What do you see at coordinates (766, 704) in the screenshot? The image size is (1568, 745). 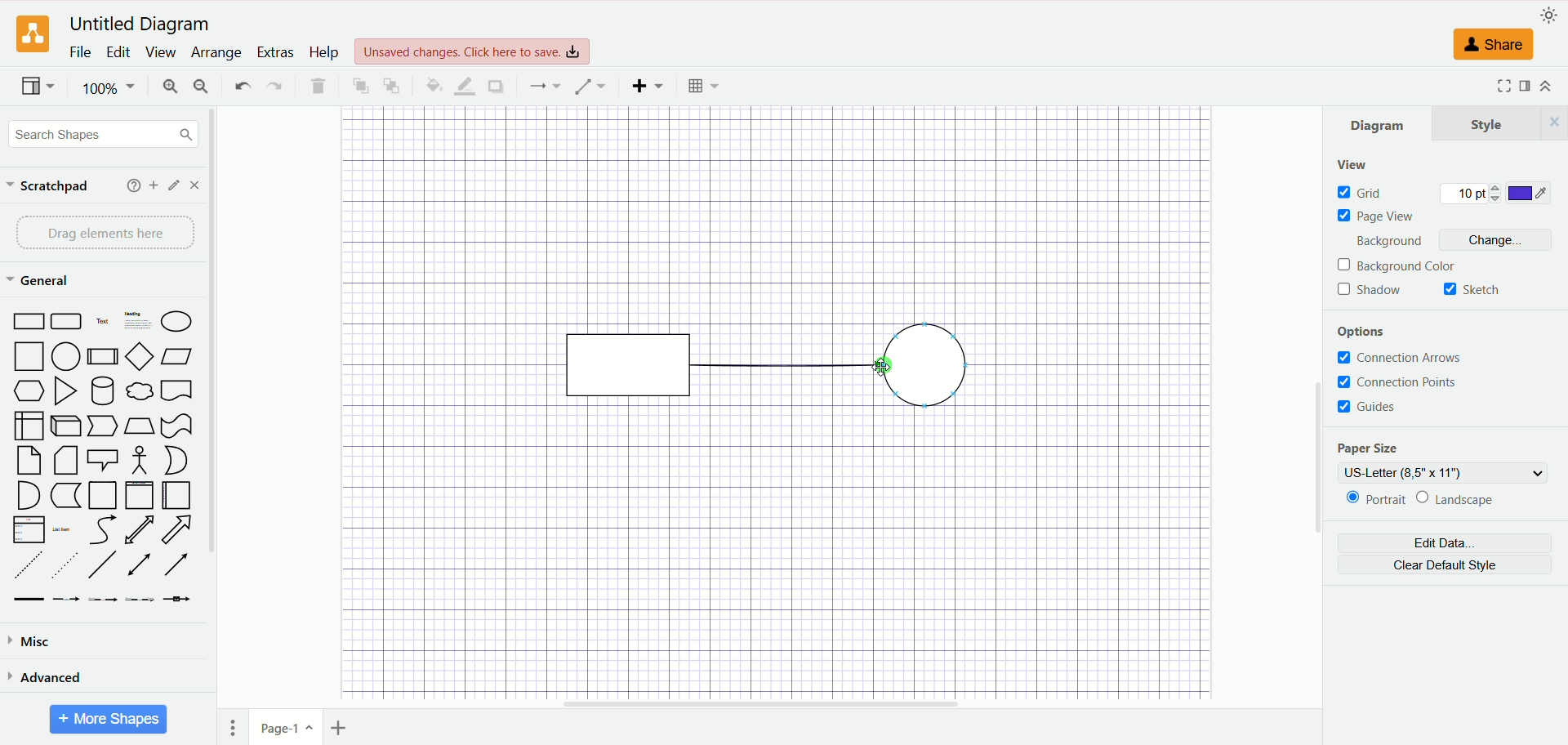 I see `horizontal scroll bar` at bounding box center [766, 704].